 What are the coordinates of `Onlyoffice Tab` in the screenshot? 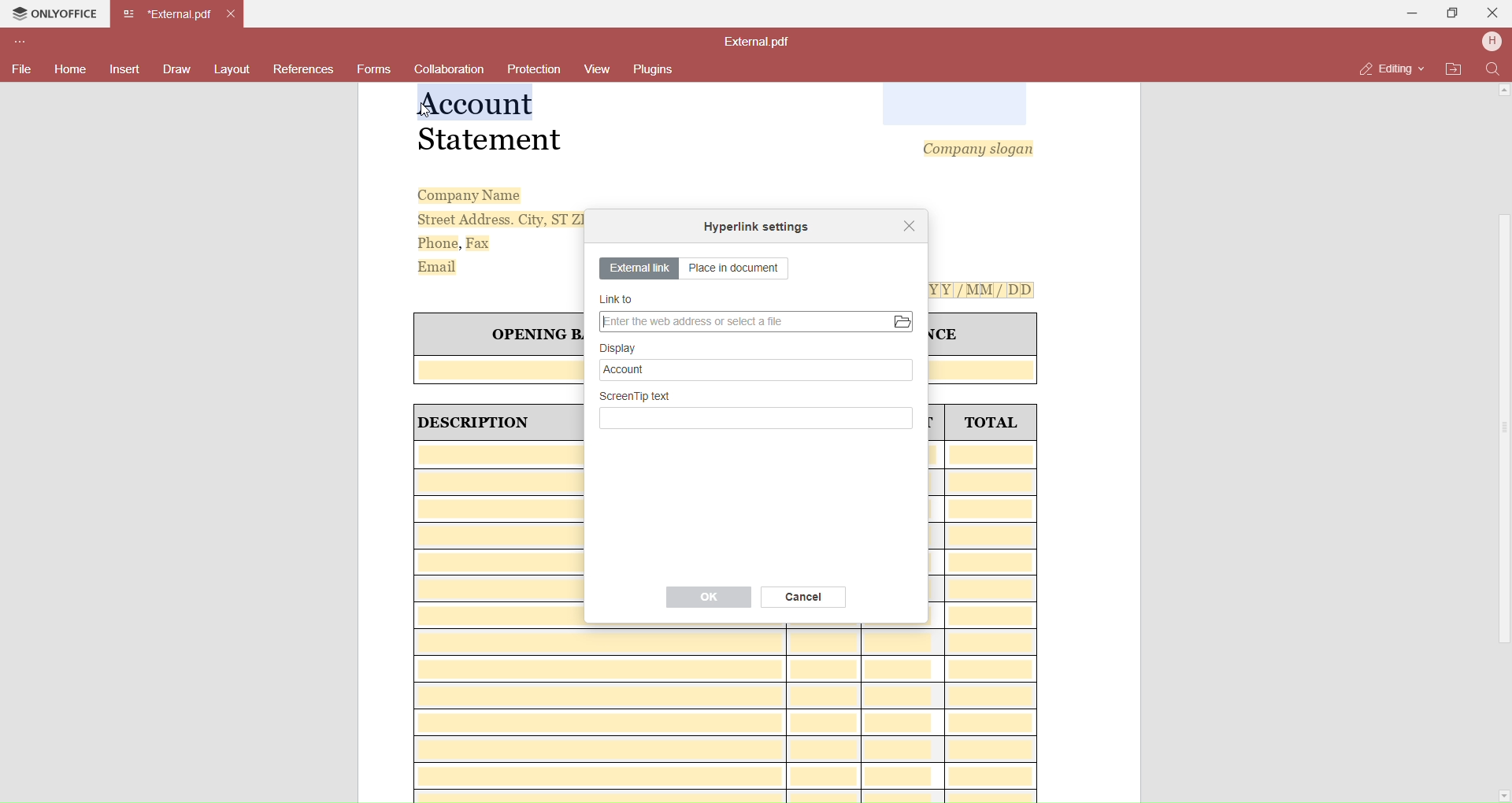 It's located at (58, 15).